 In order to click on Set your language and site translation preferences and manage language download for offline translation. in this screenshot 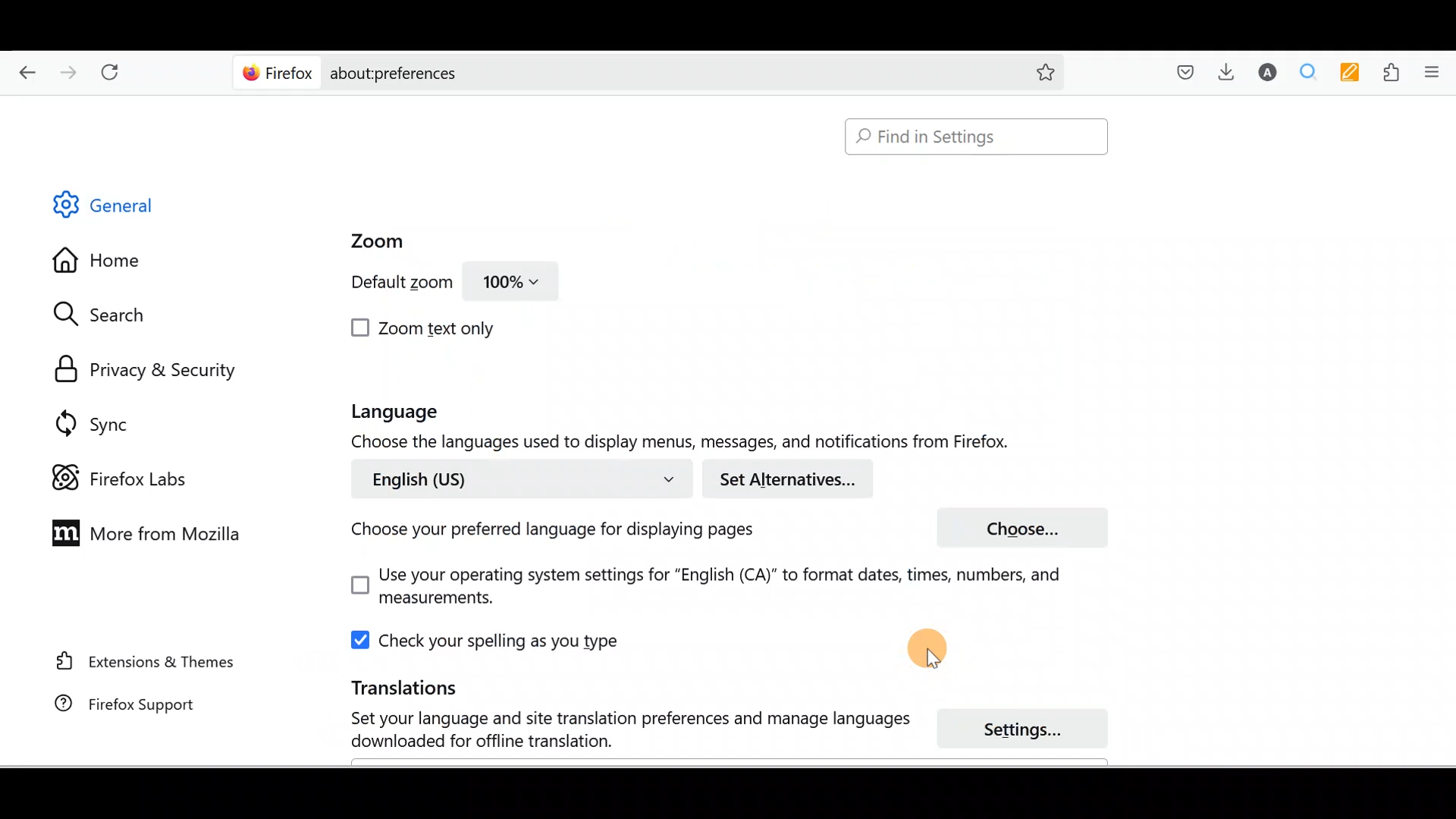, I will do `click(616, 730)`.